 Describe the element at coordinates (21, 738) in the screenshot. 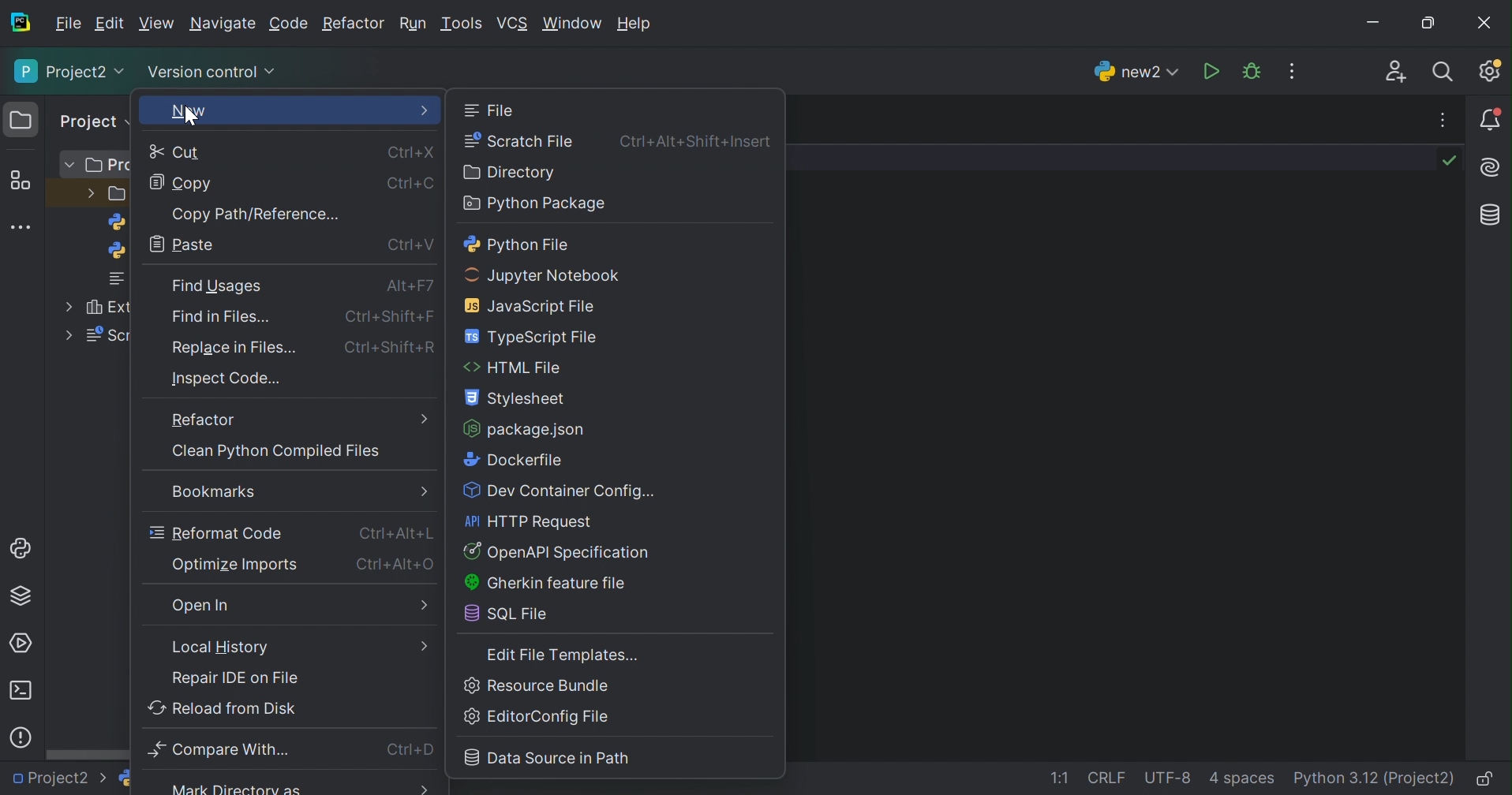

I see `Problems` at that location.